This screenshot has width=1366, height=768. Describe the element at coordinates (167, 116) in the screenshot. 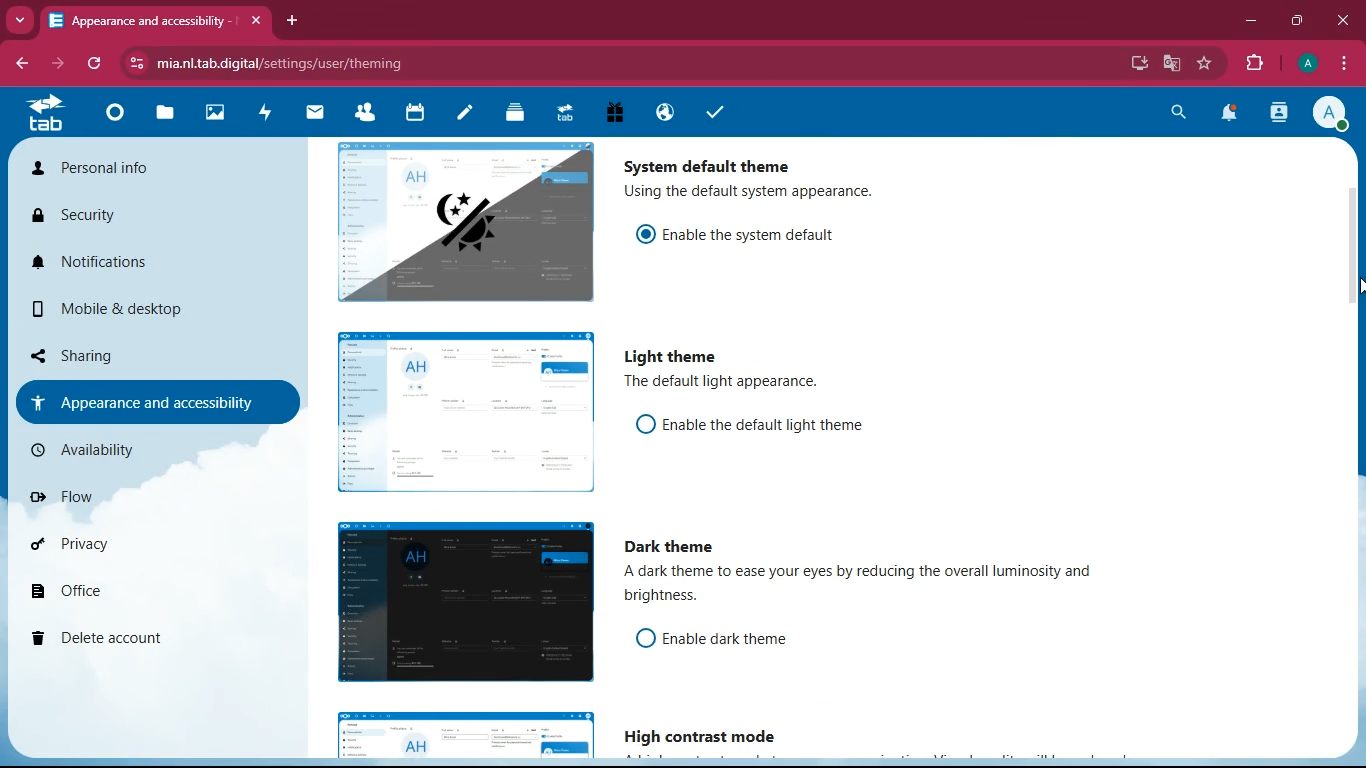

I see `files` at that location.